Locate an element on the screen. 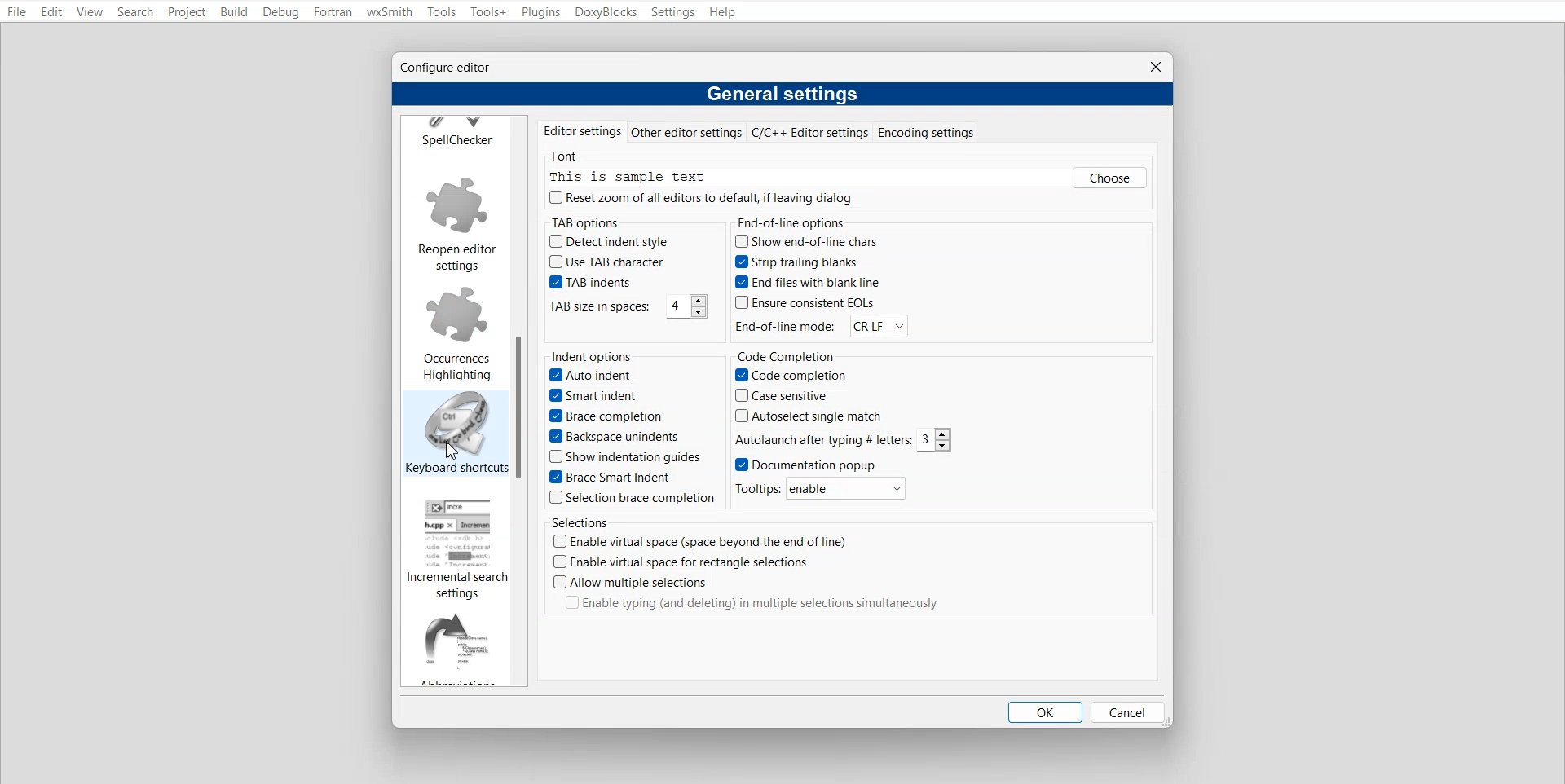  CR LF is located at coordinates (876, 328).